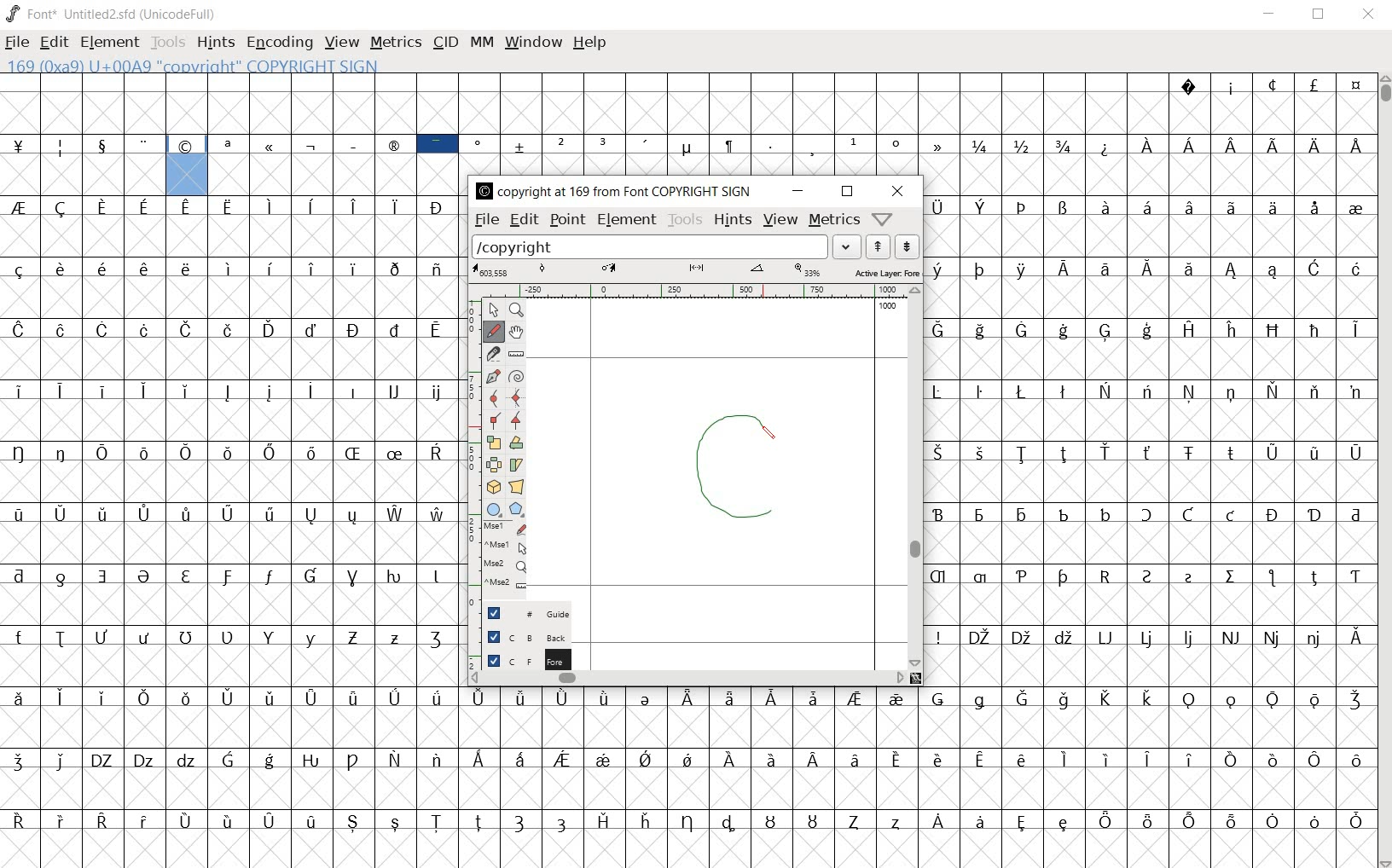  What do you see at coordinates (522, 219) in the screenshot?
I see `edit` at bounding box center [522, 219].